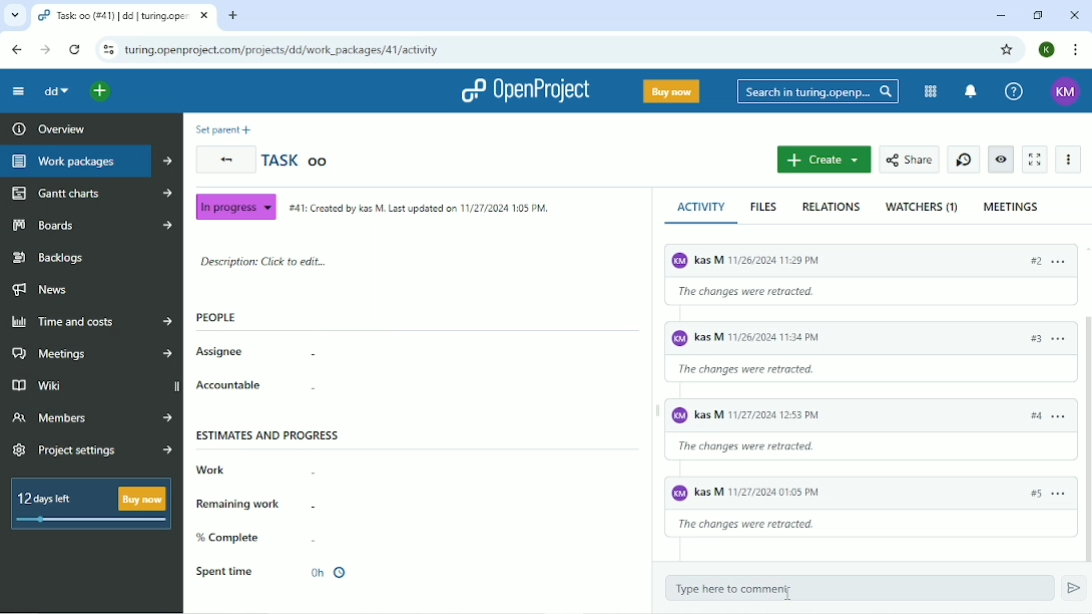 The image size is (1092, 614). Describe the element at coordinates (1059, 339) in the screenshot. I see `options` at that location.